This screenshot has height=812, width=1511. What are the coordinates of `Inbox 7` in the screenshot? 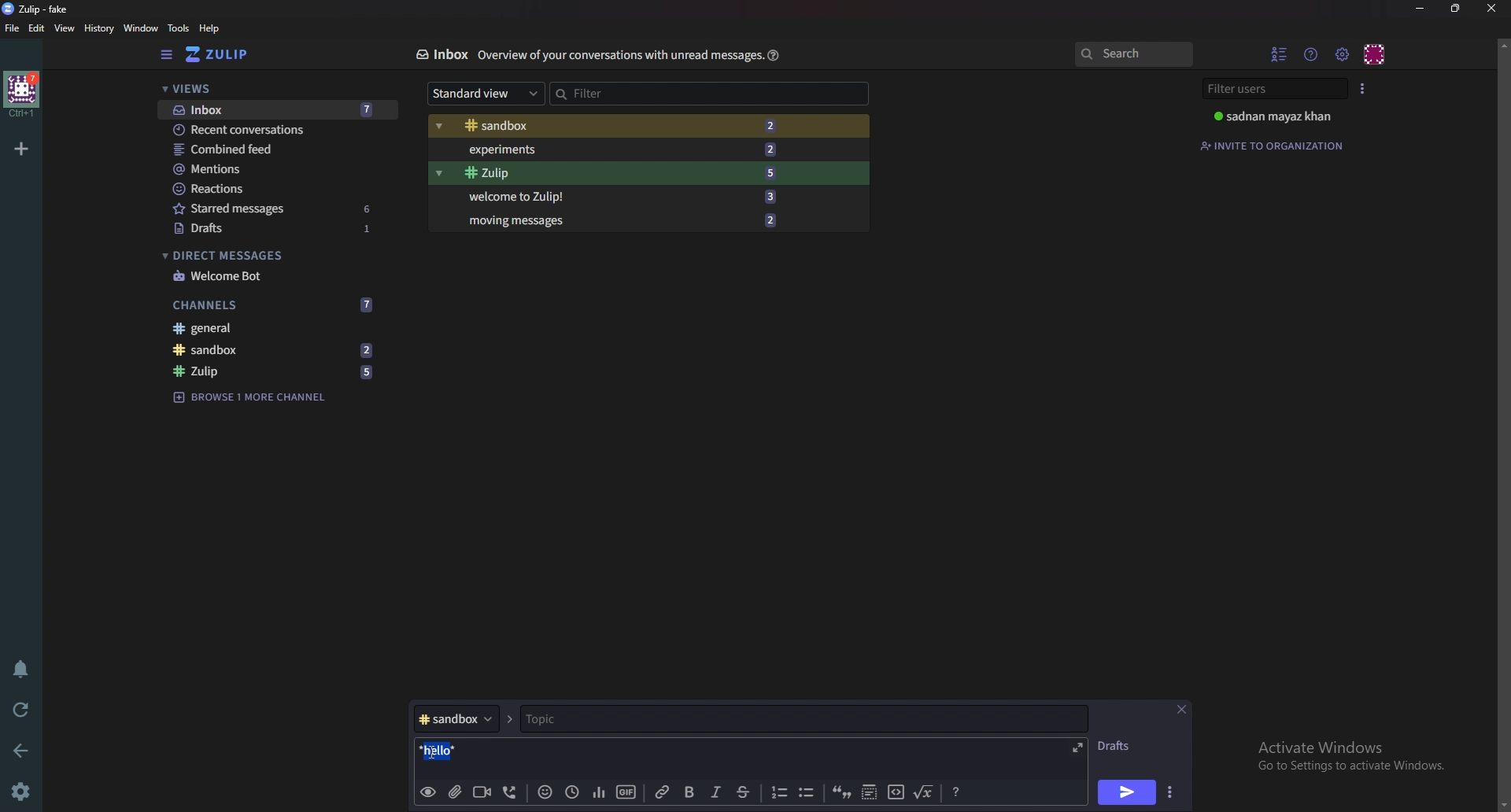 It's located at (277, 111).